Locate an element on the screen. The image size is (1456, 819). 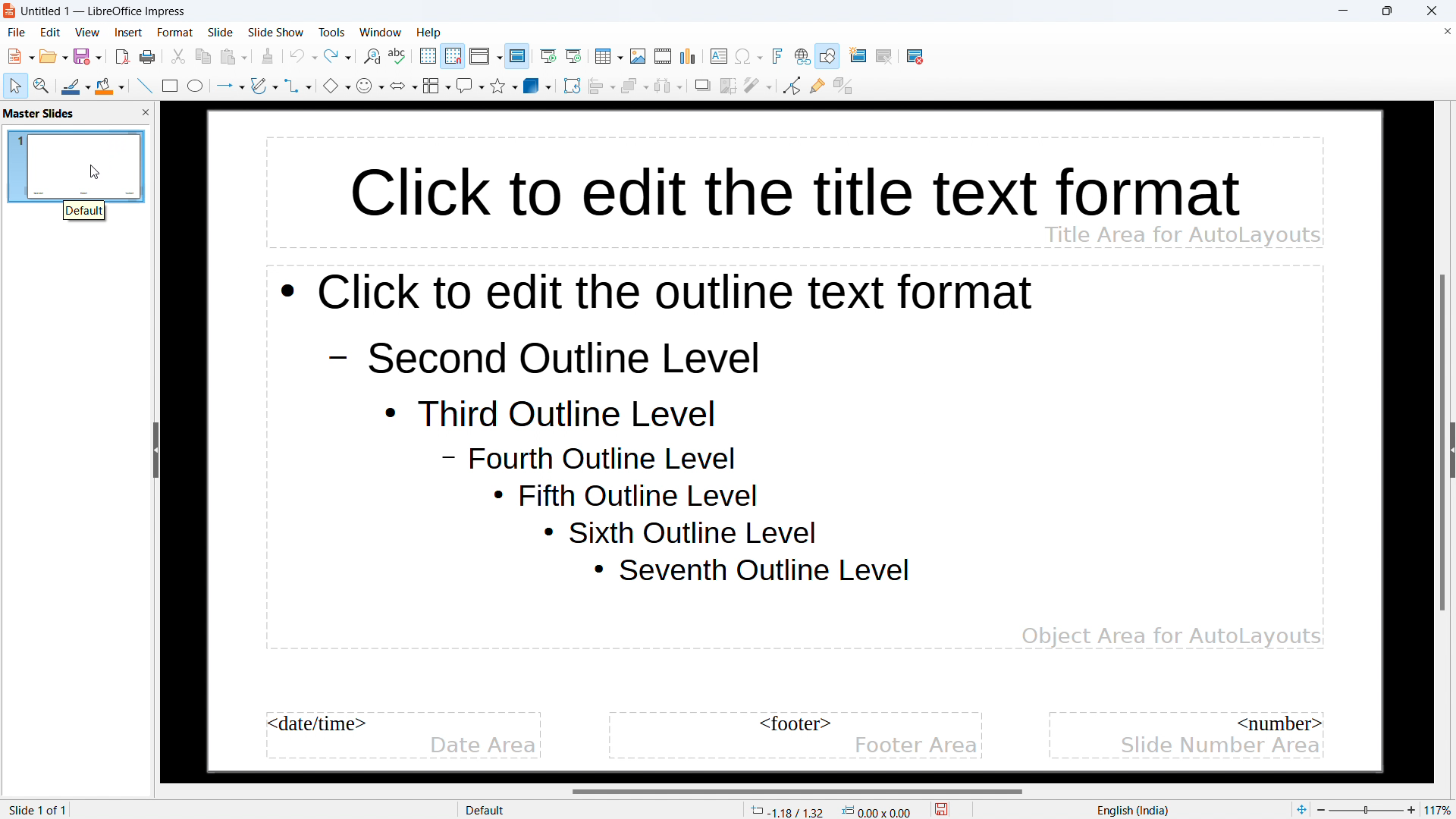
export directly as pdf is located at coordinates (123, 58).